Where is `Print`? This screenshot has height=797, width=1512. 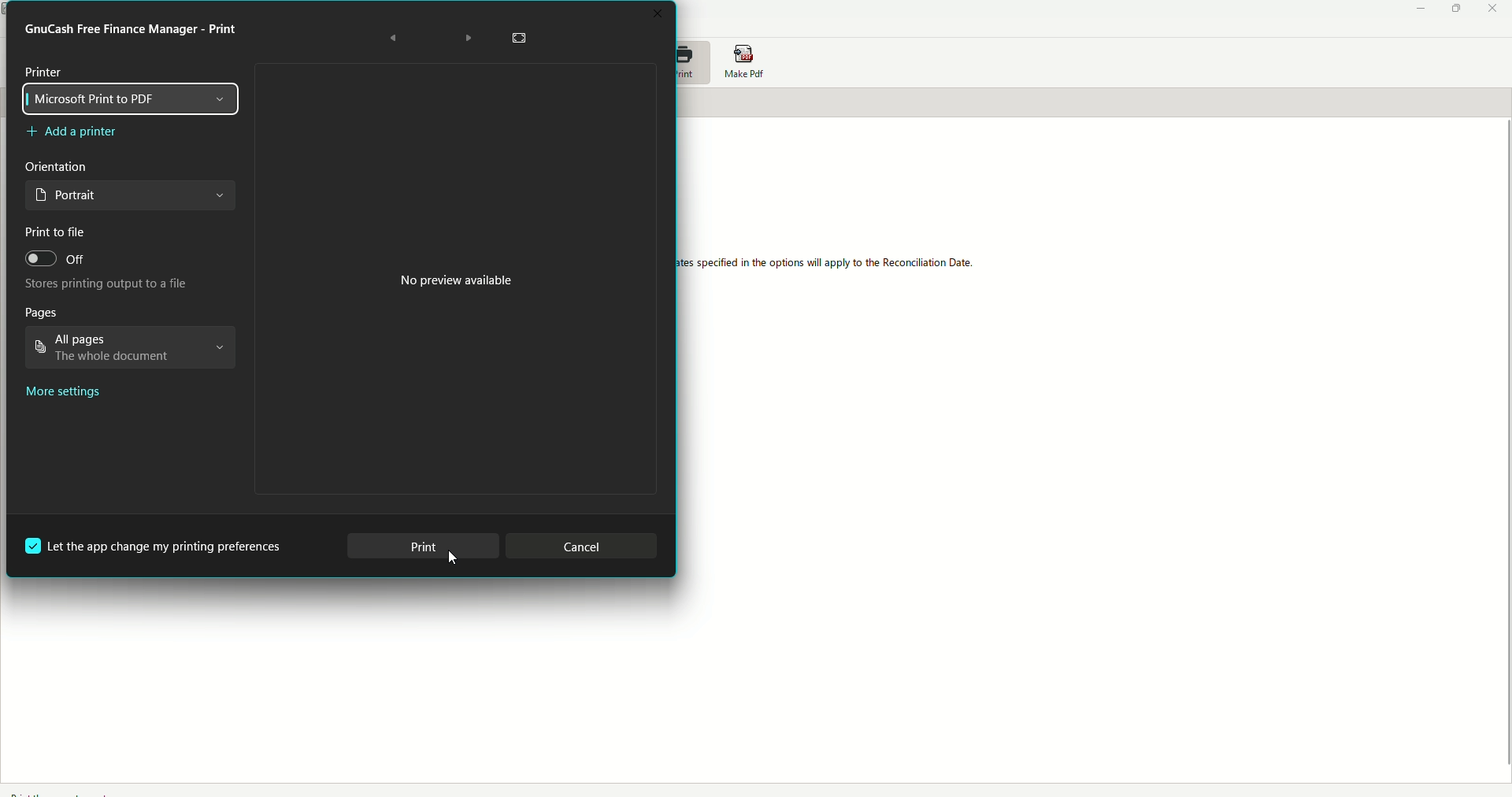 Print is located at coordinates (425, 546).